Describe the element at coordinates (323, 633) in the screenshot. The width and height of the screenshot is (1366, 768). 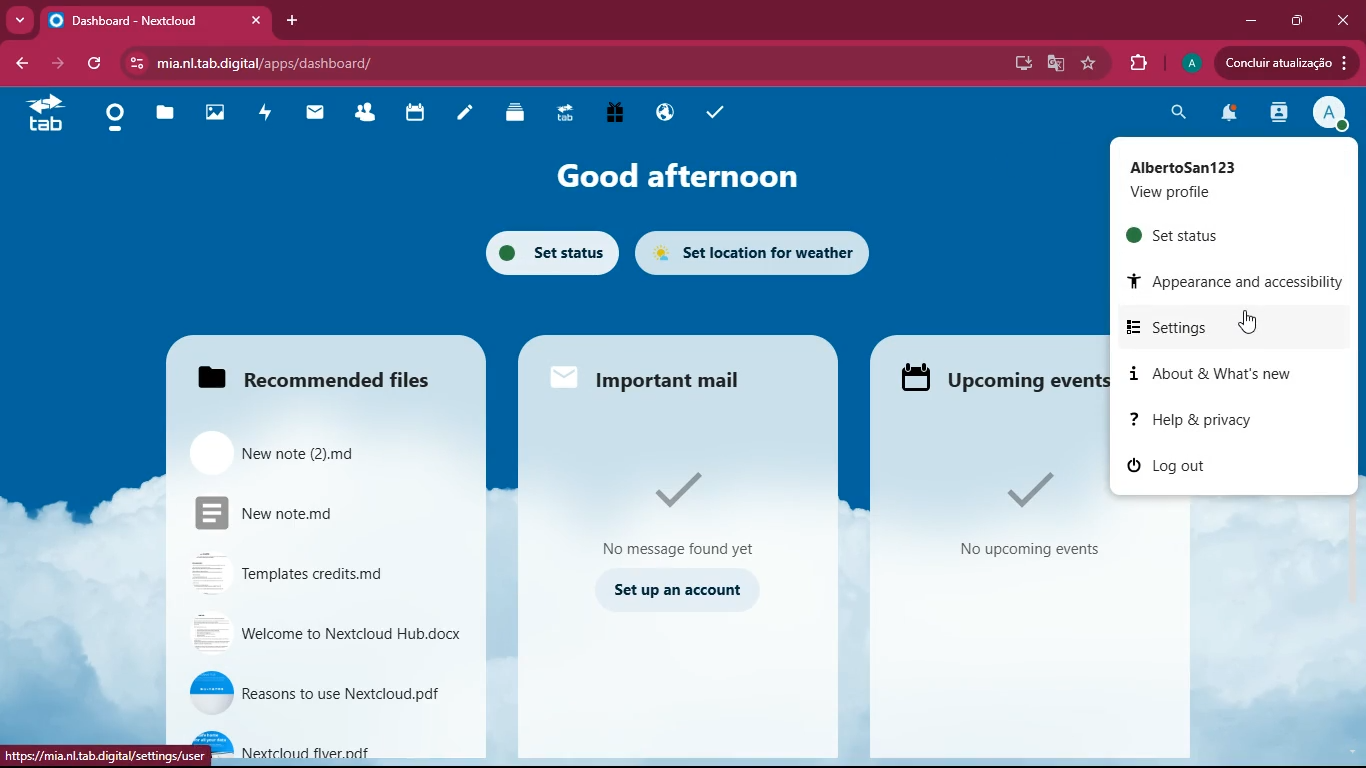
I see `file` at that location.